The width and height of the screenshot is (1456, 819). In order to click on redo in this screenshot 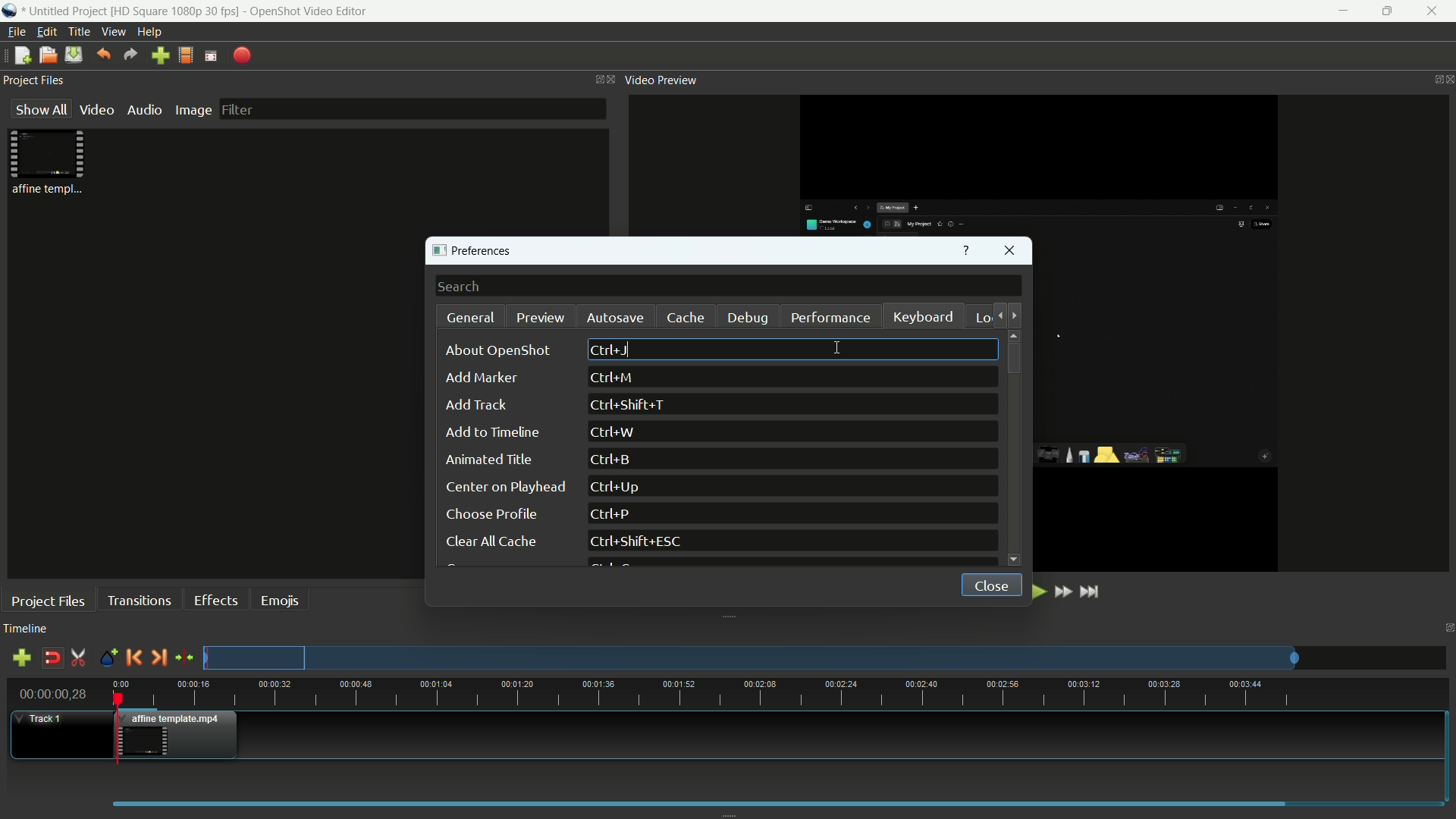, I will do `click(131, 55)`.